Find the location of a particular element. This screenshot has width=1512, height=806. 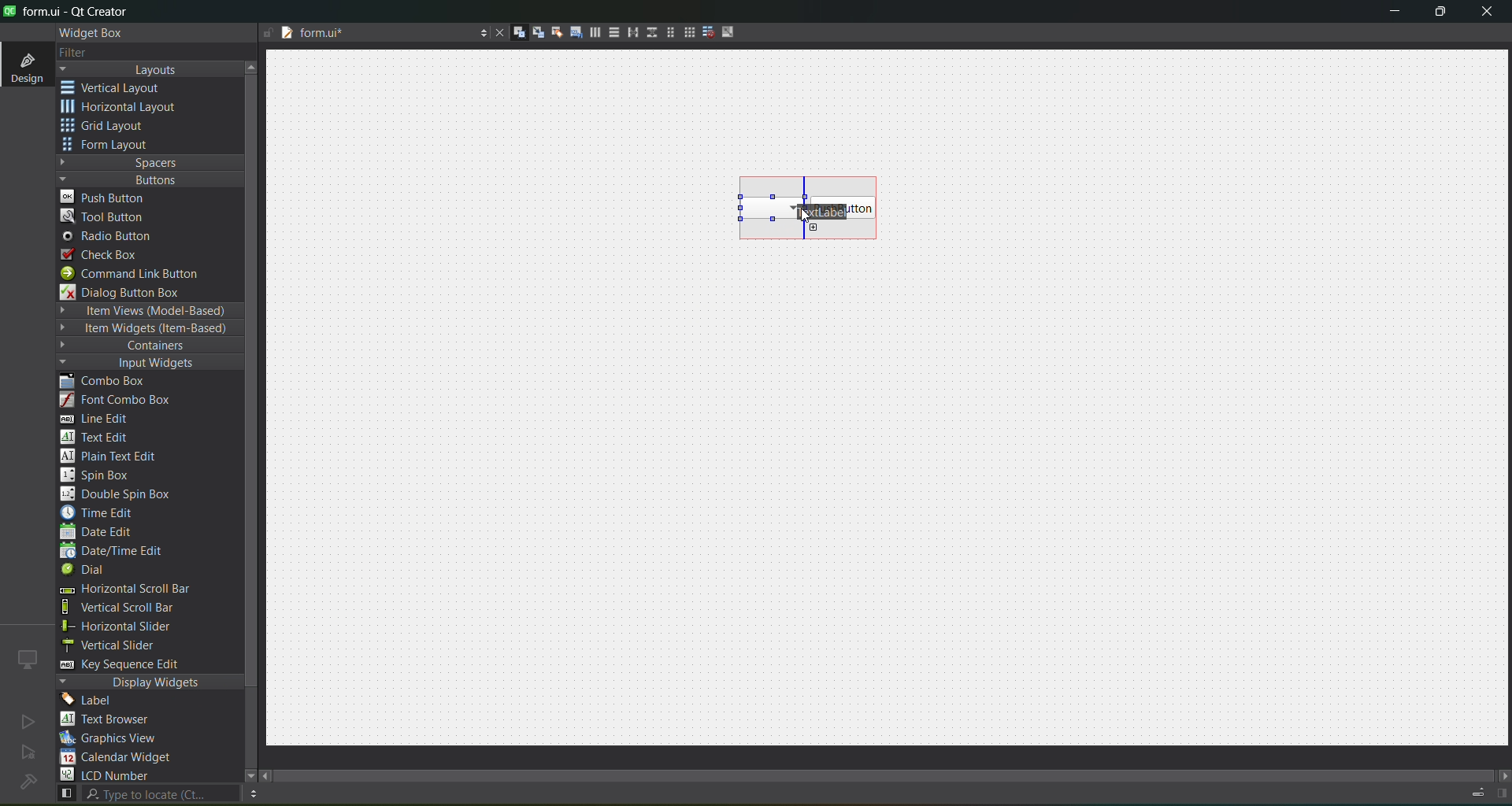

tab name is located at coordinates (373, 34).